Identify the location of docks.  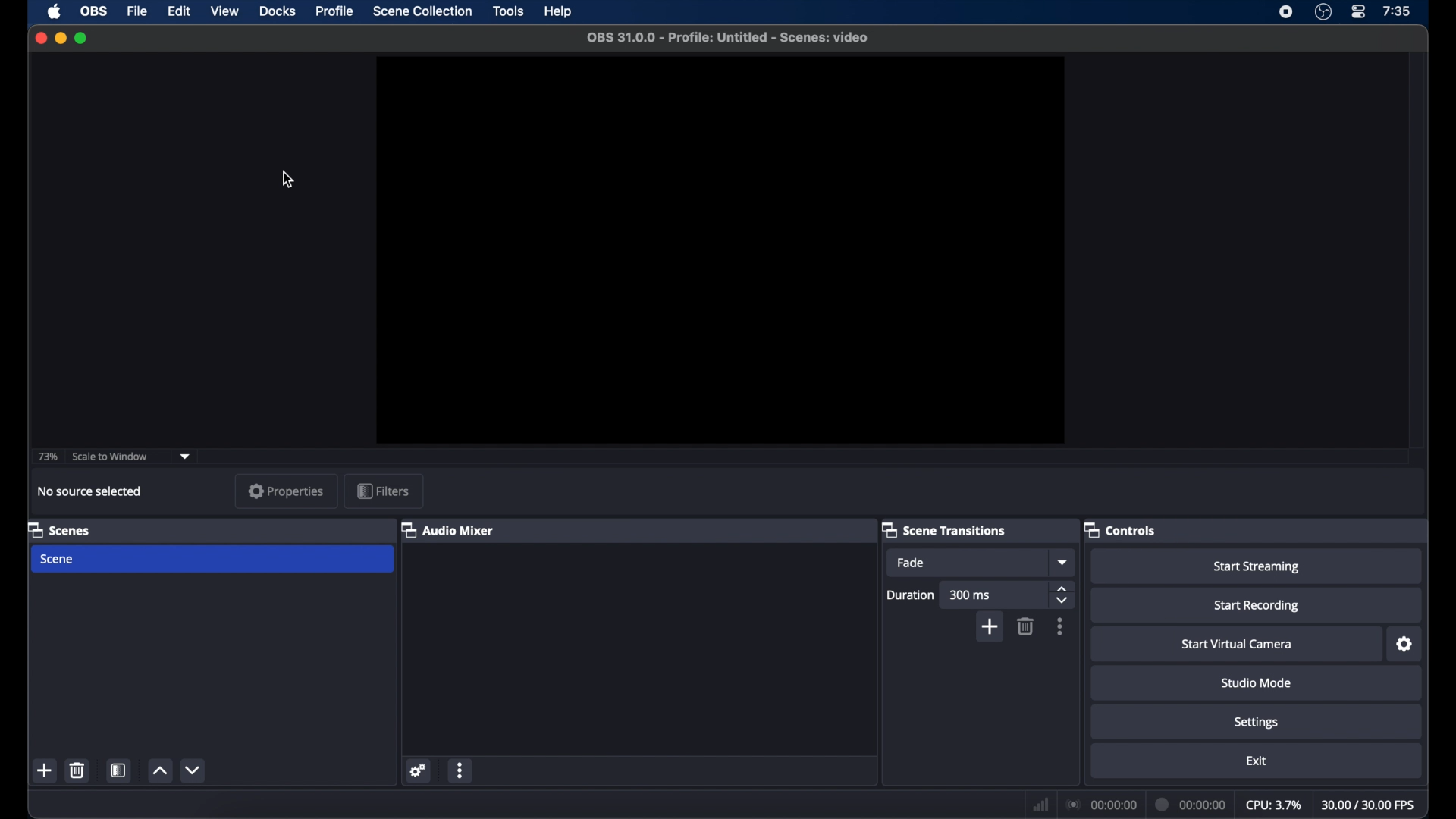
(277, 11).